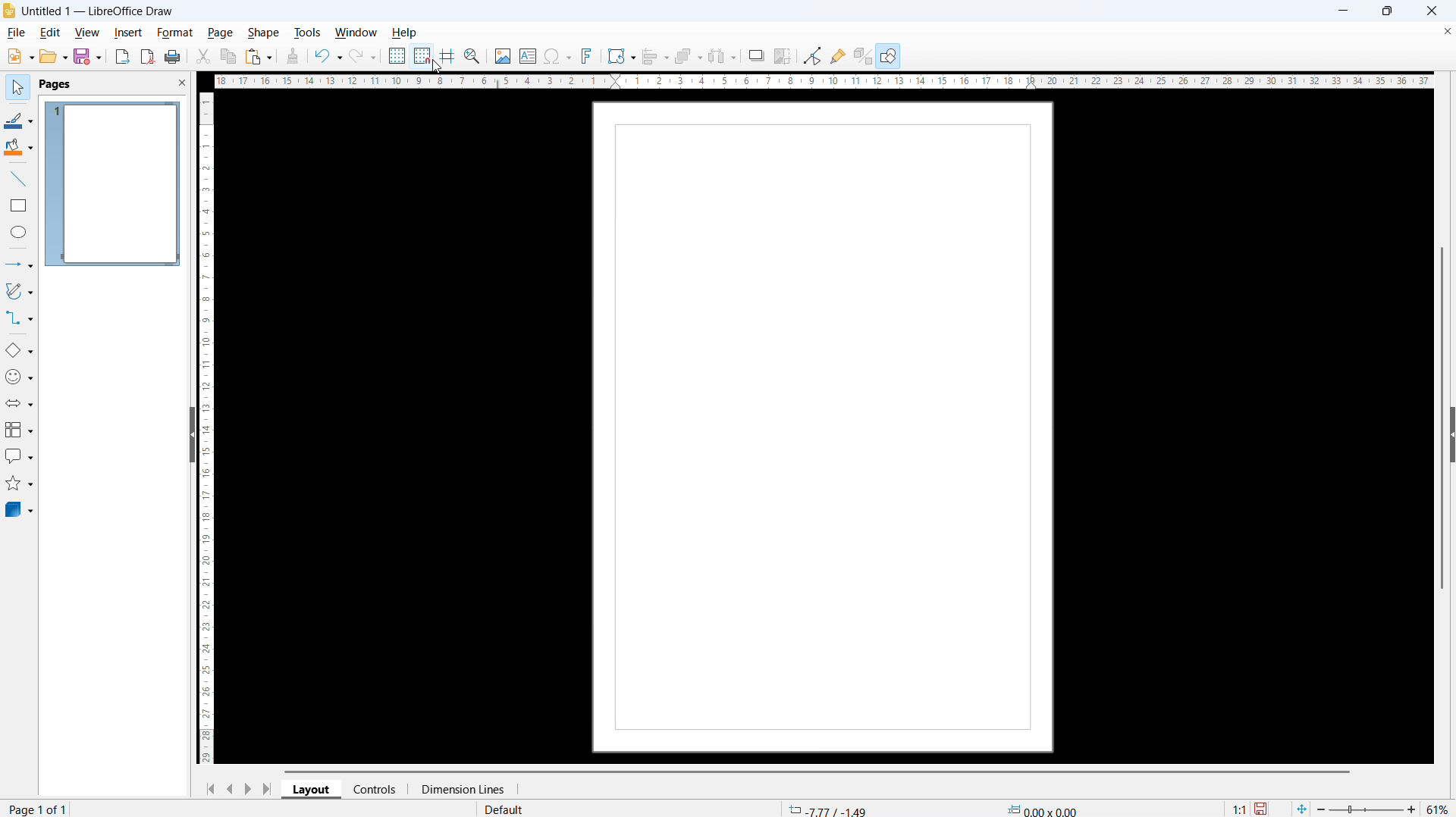  I want to click on layout, so click(312, 789).